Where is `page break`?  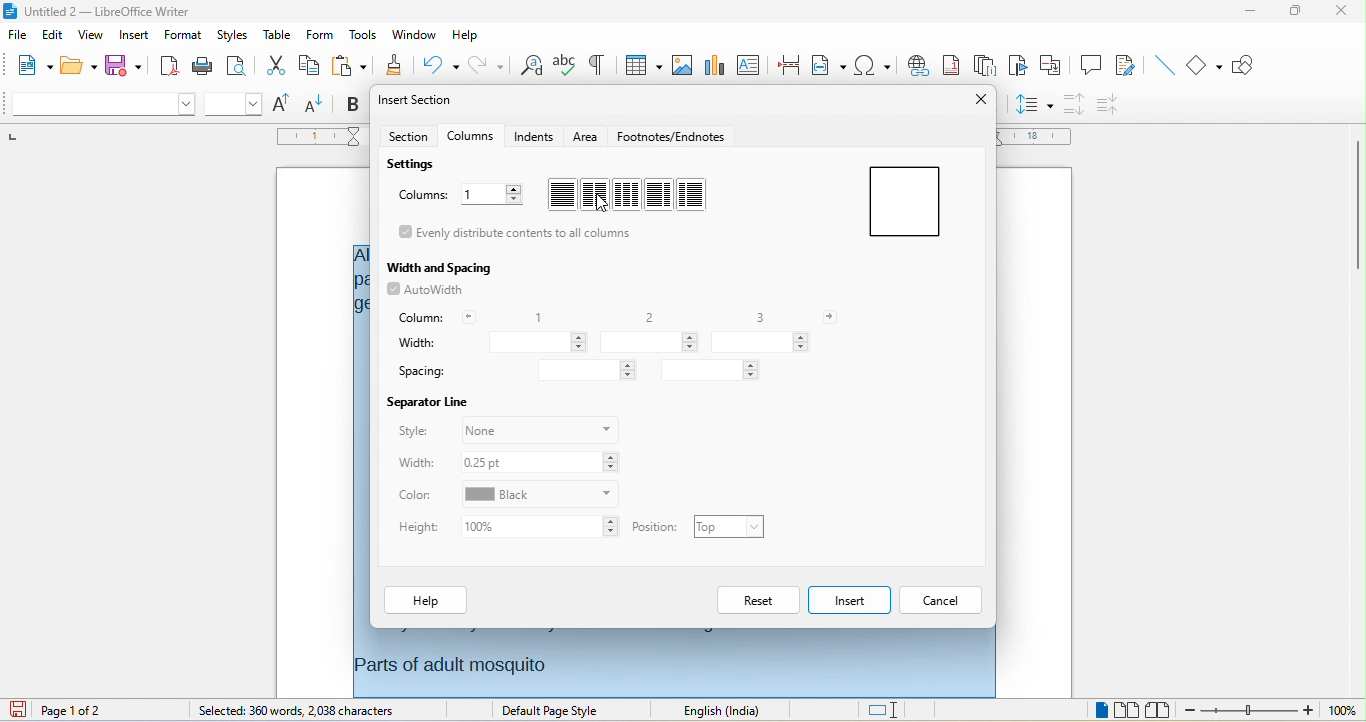
page break is located at coordinates (787, 63).